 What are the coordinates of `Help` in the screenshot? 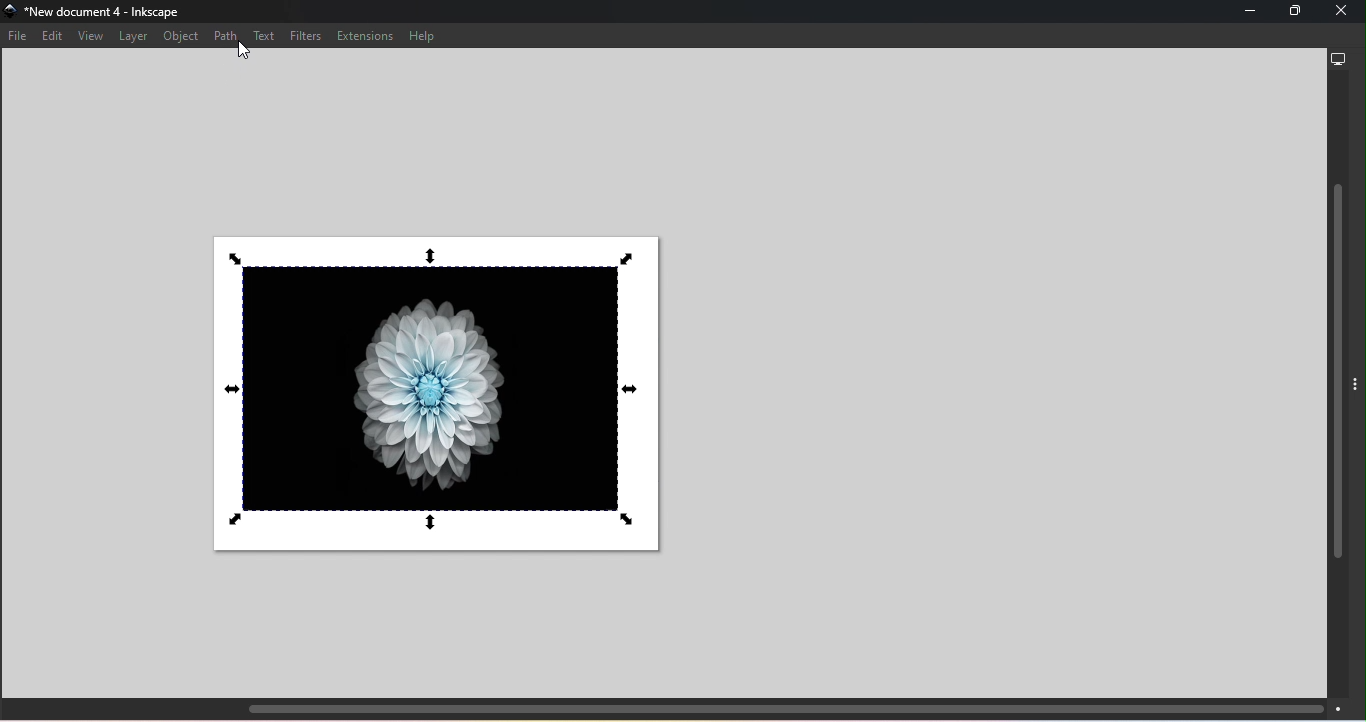 It's located at (422, 36).